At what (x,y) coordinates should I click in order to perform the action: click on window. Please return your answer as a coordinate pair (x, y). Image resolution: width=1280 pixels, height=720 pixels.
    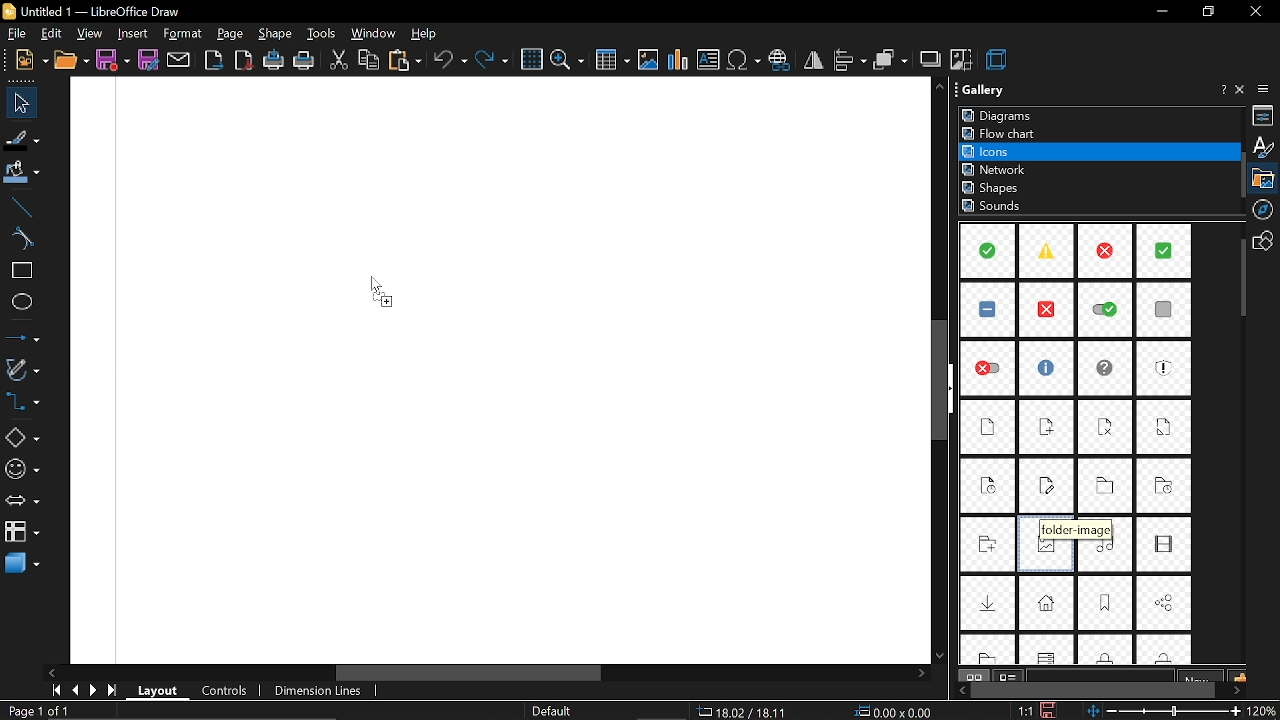
    Looking at the image, I should click on (372, 34).